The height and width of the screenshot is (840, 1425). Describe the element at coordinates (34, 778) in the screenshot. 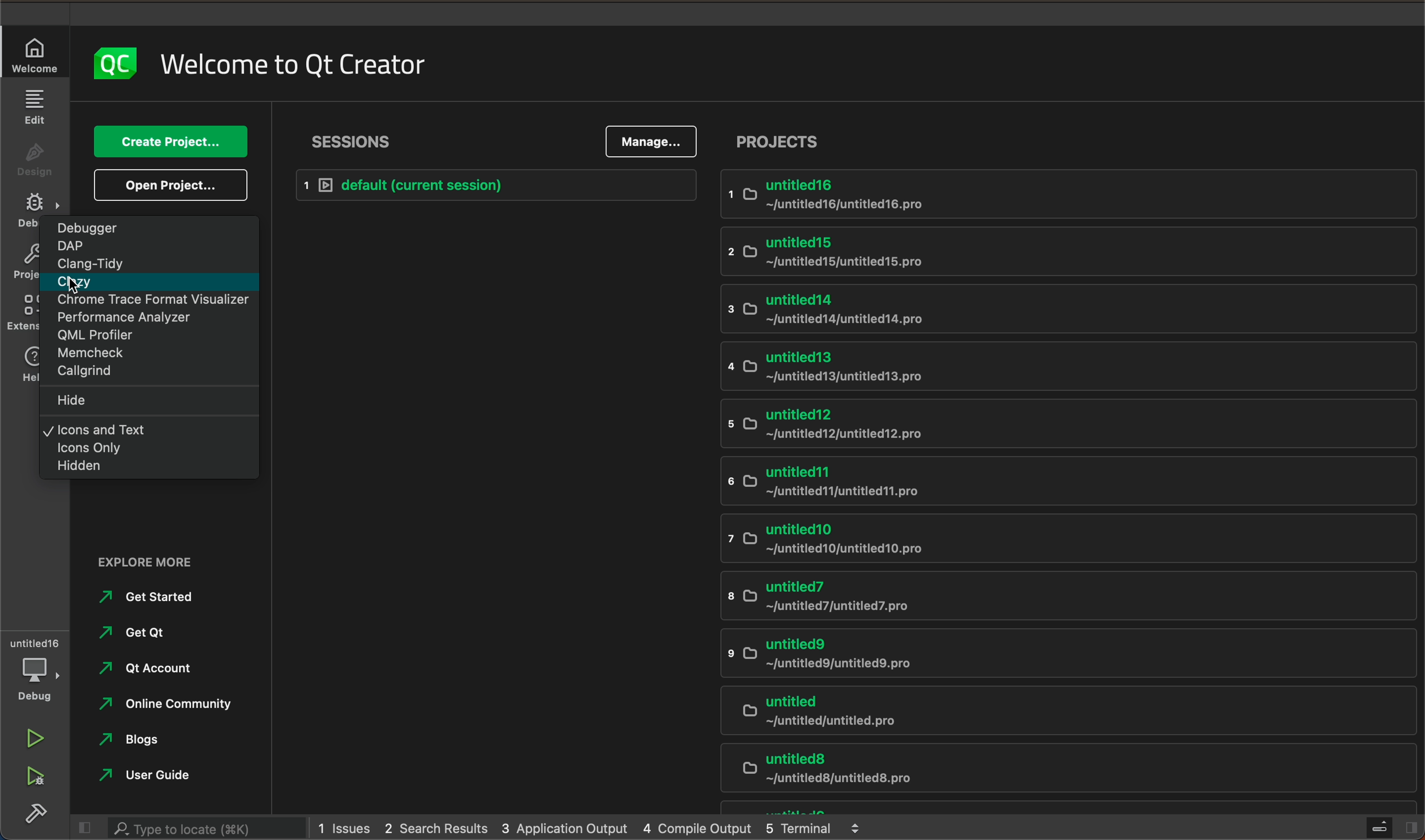

I see `run and debug` at that location.